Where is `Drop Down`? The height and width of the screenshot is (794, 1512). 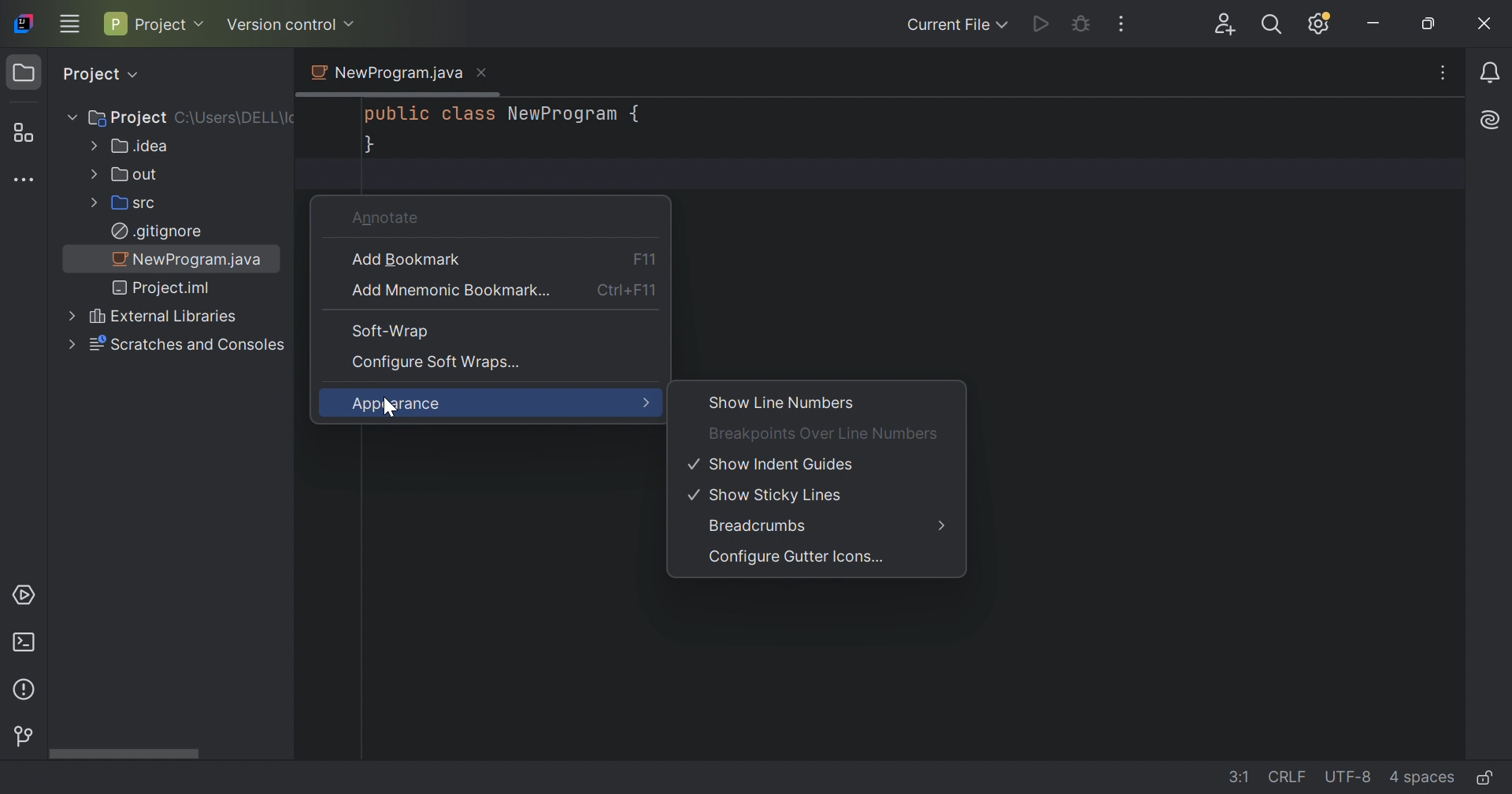 Drop Down is located at coordinates (69, 117).